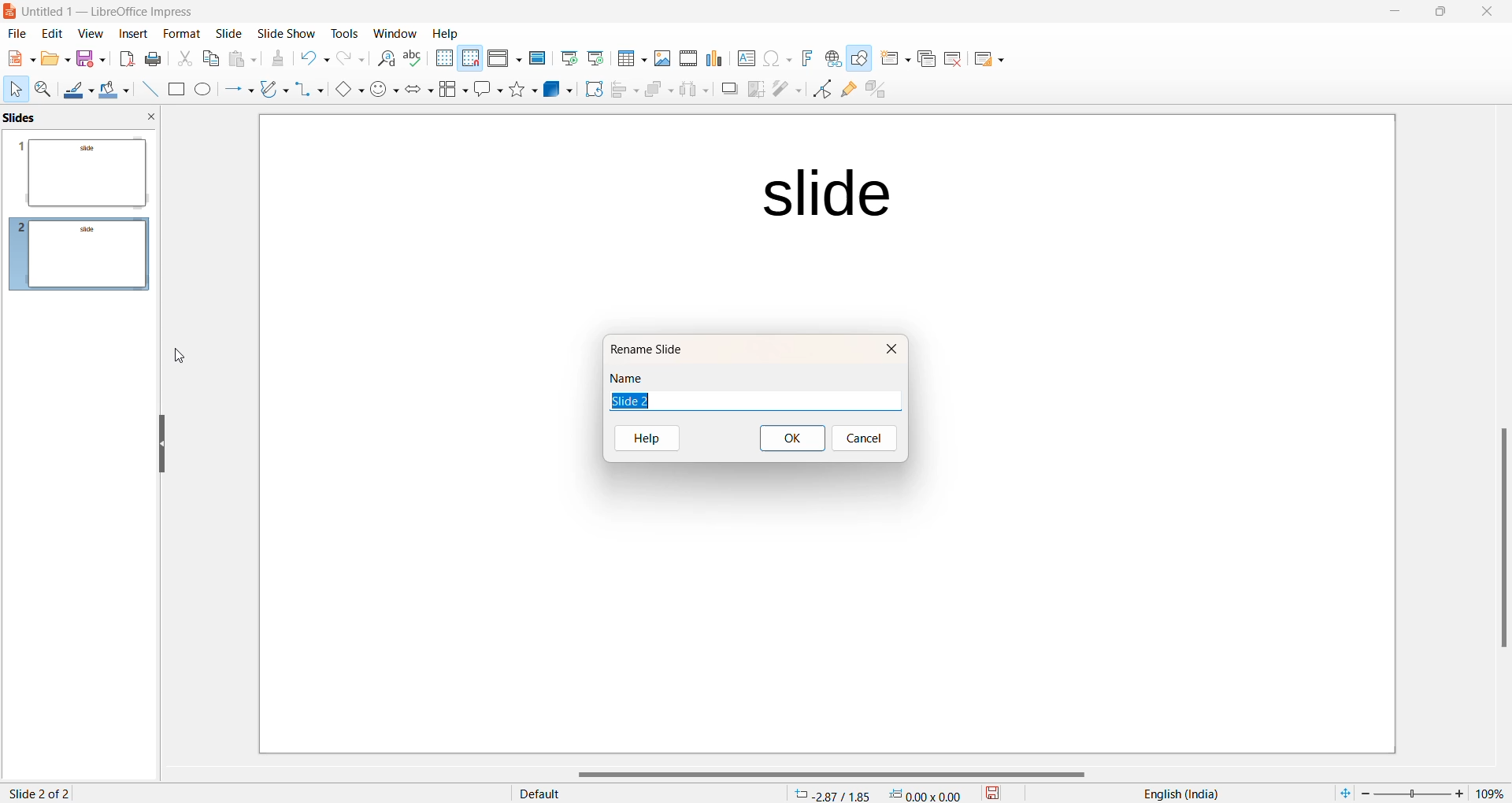 This screenshot has width=1512, height=803. I want to click on close, so click(1487, 14).